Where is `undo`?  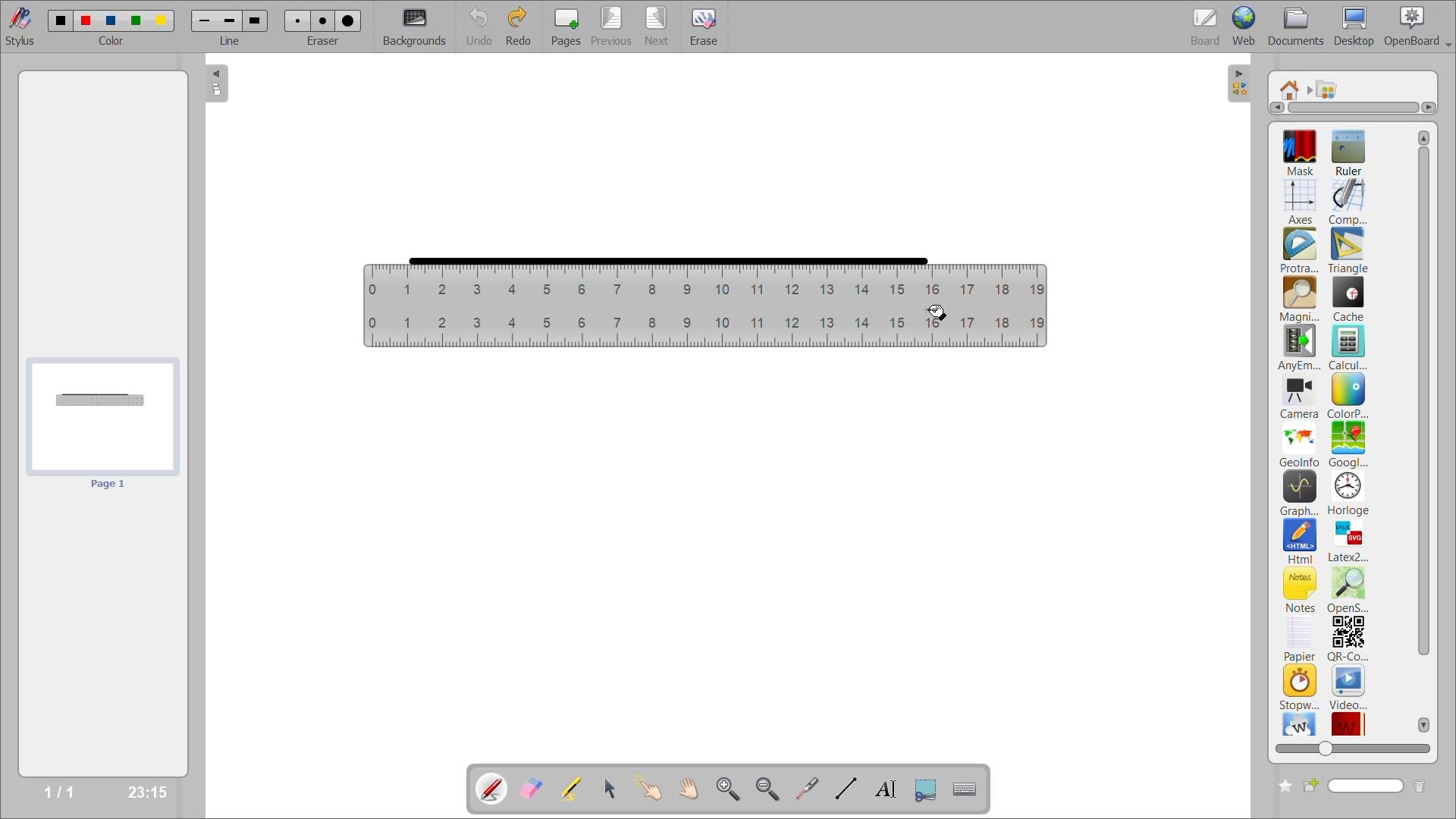
undo is located at coordinates (481, 25).